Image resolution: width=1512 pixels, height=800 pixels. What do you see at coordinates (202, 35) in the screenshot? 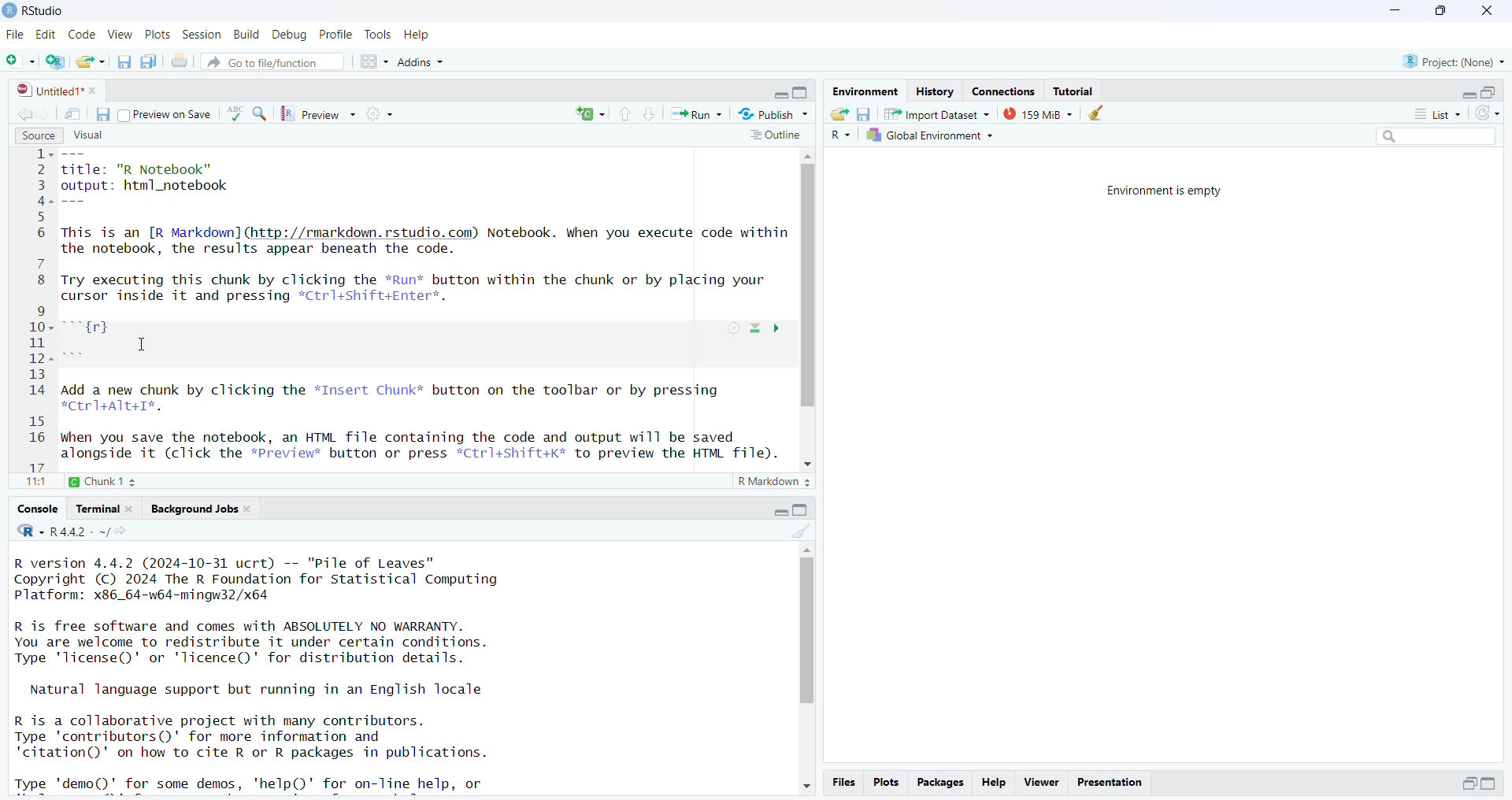
I see `session` at bounding box center [202, 35].